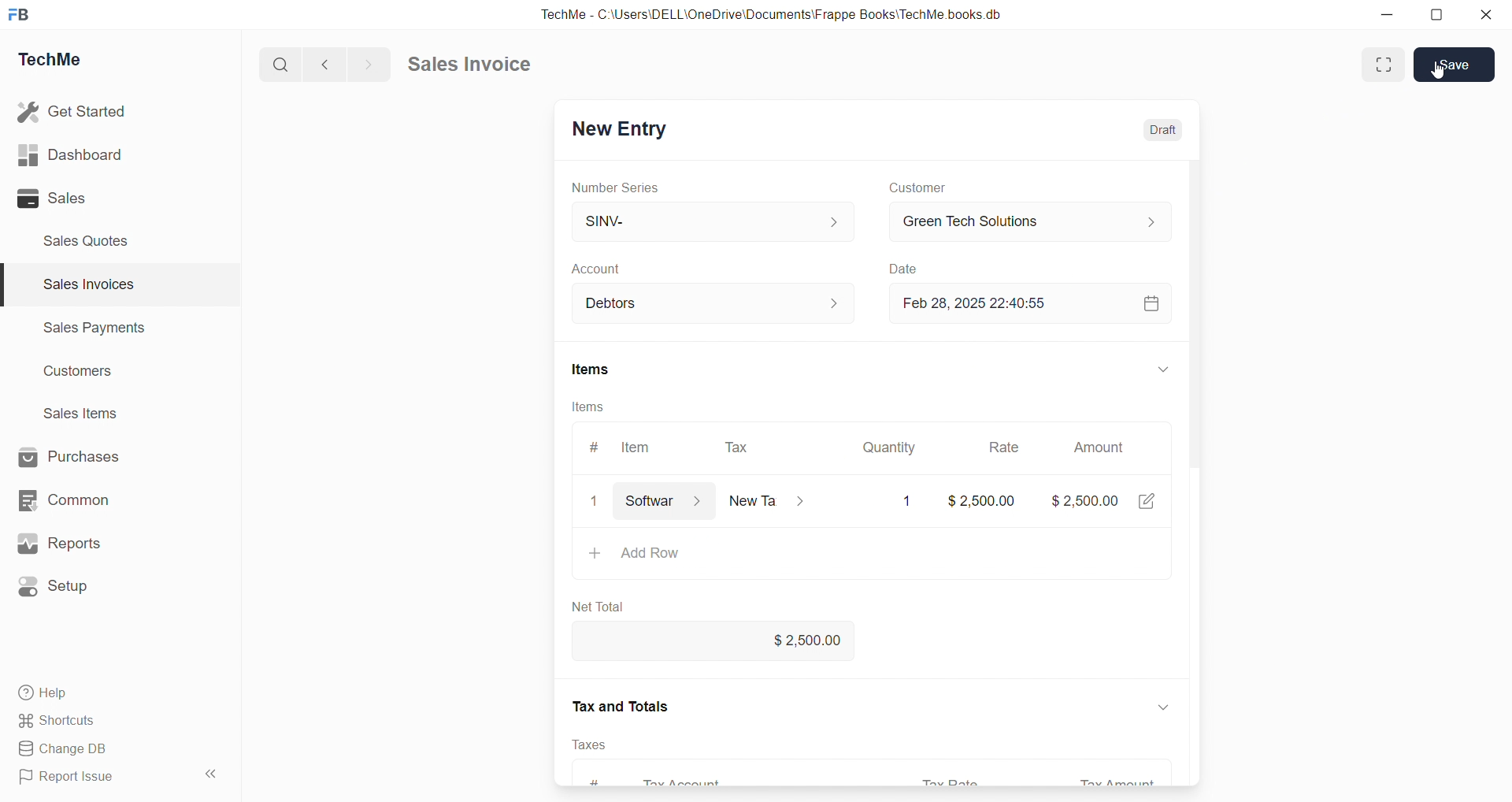  I want to click on Items, so click(587, 407).